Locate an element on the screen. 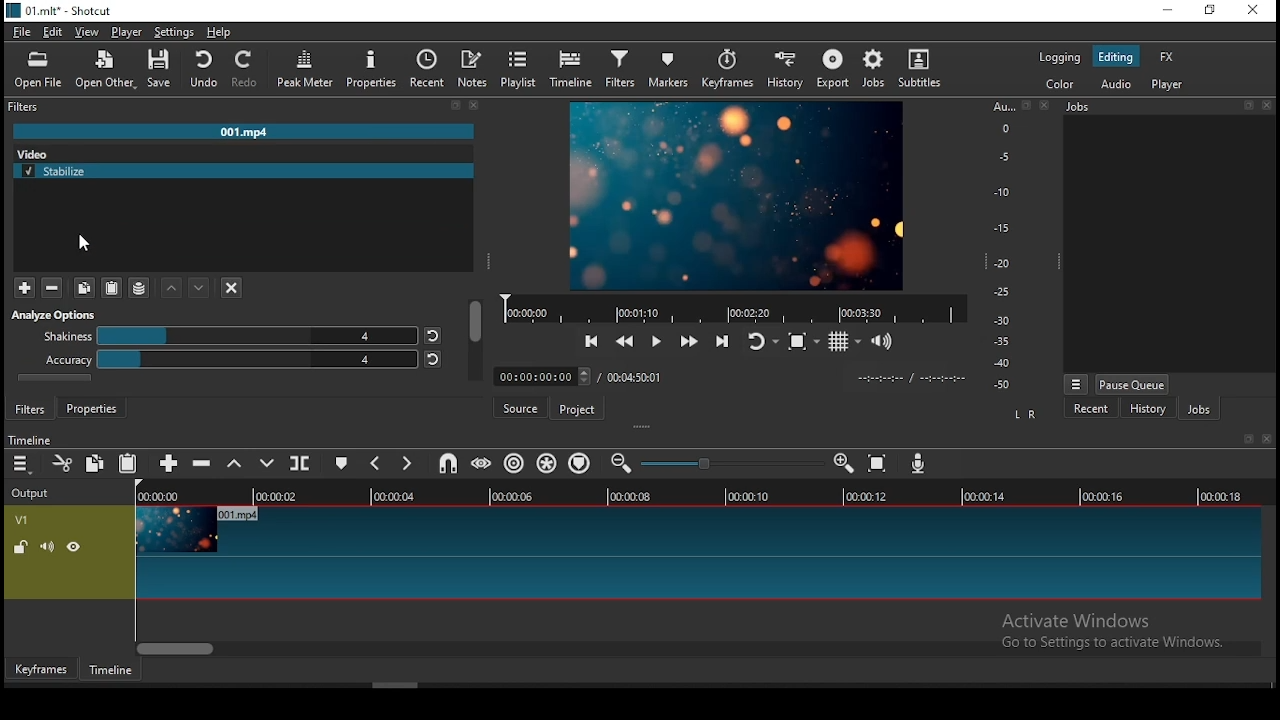 The height and width of the screenshot is (720, 1280). scroll is located at coordinates (642, 687).